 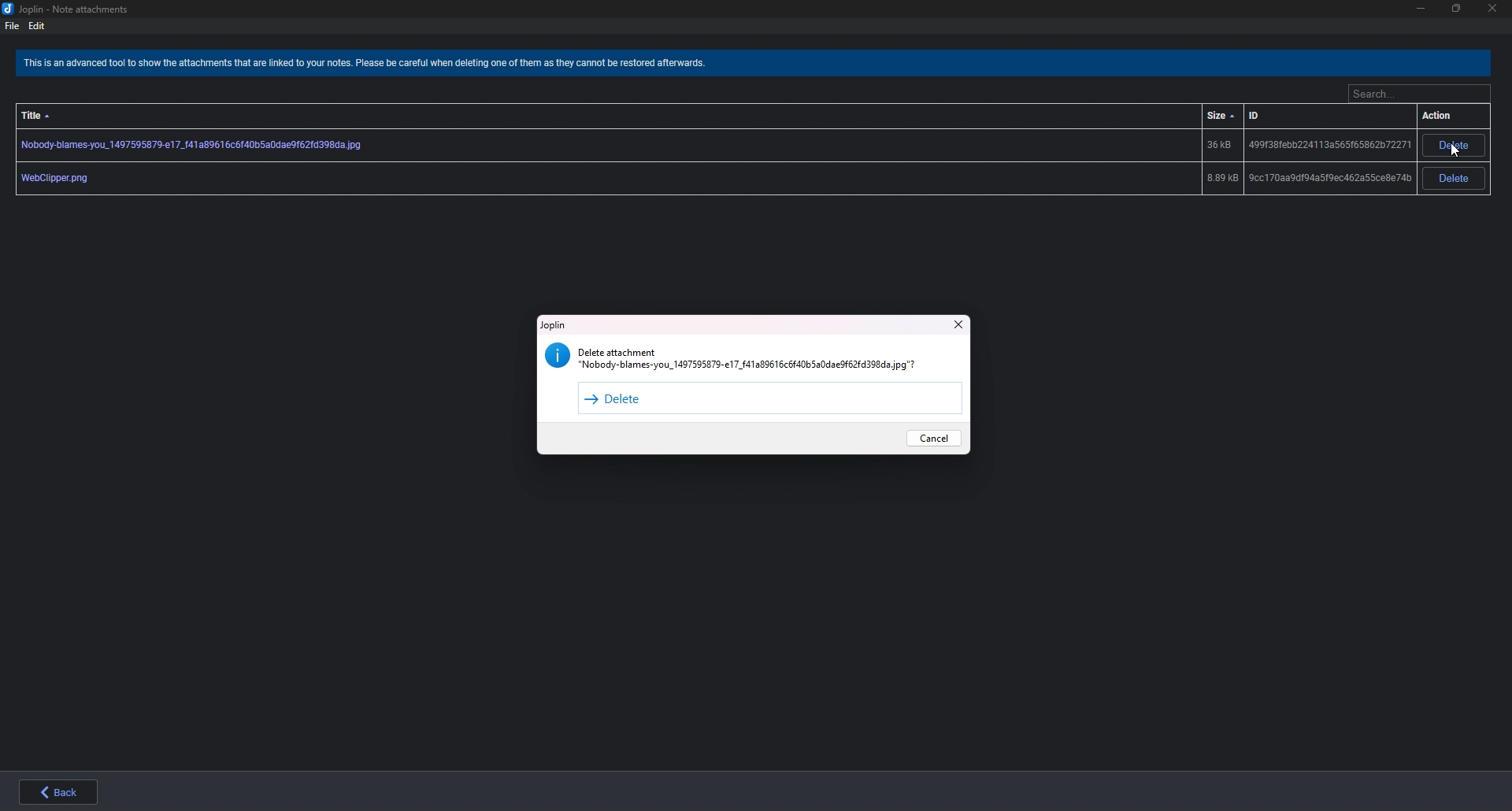 What do you see at coordinates (1455, 178) in the screenshot?
I see `Delete` at bounding box center [1455, 178].